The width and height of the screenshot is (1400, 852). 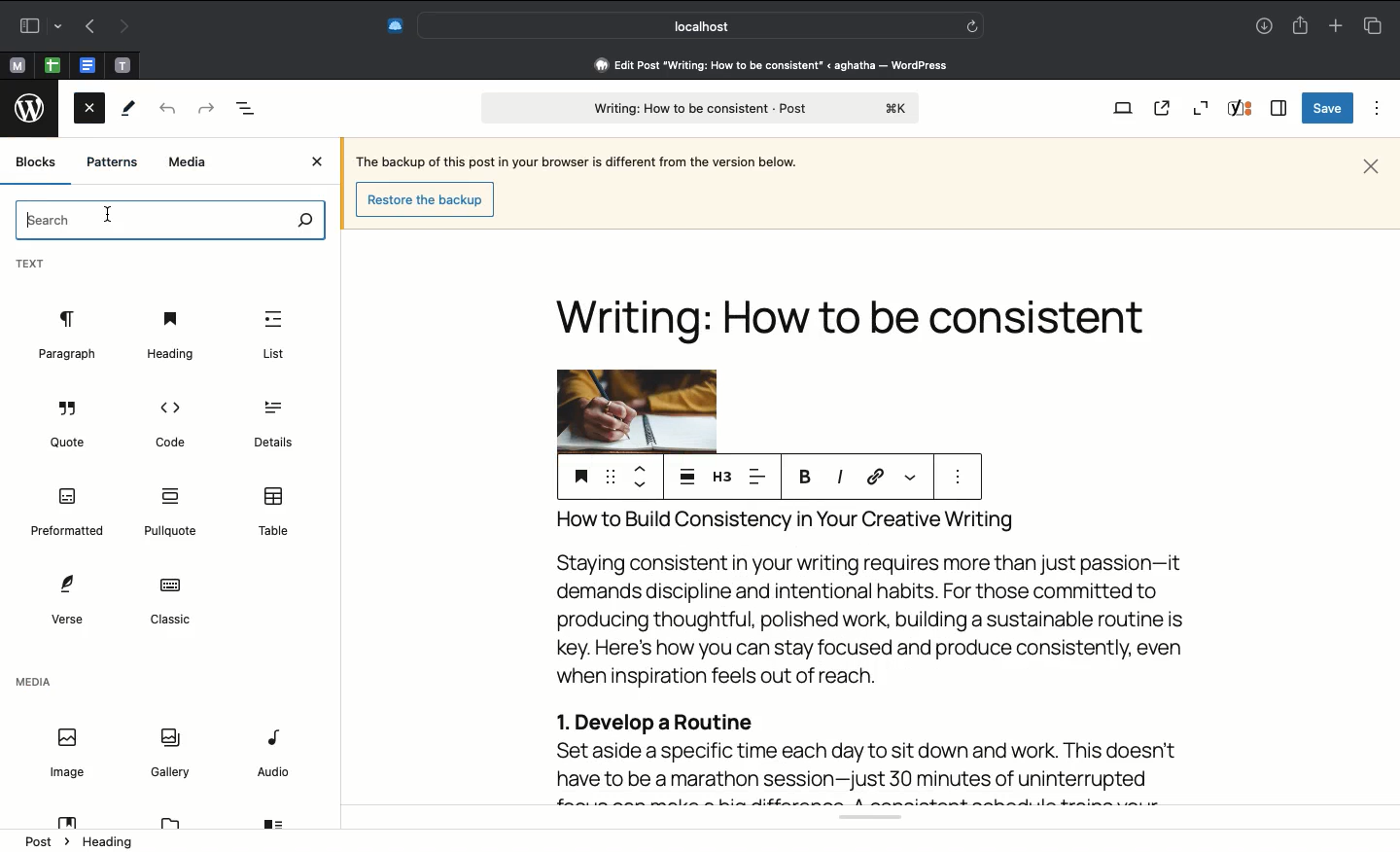 What do you see at coordinates (687, 475) in the screenshot?
I see `Justify` at bounding box center [687, 475].